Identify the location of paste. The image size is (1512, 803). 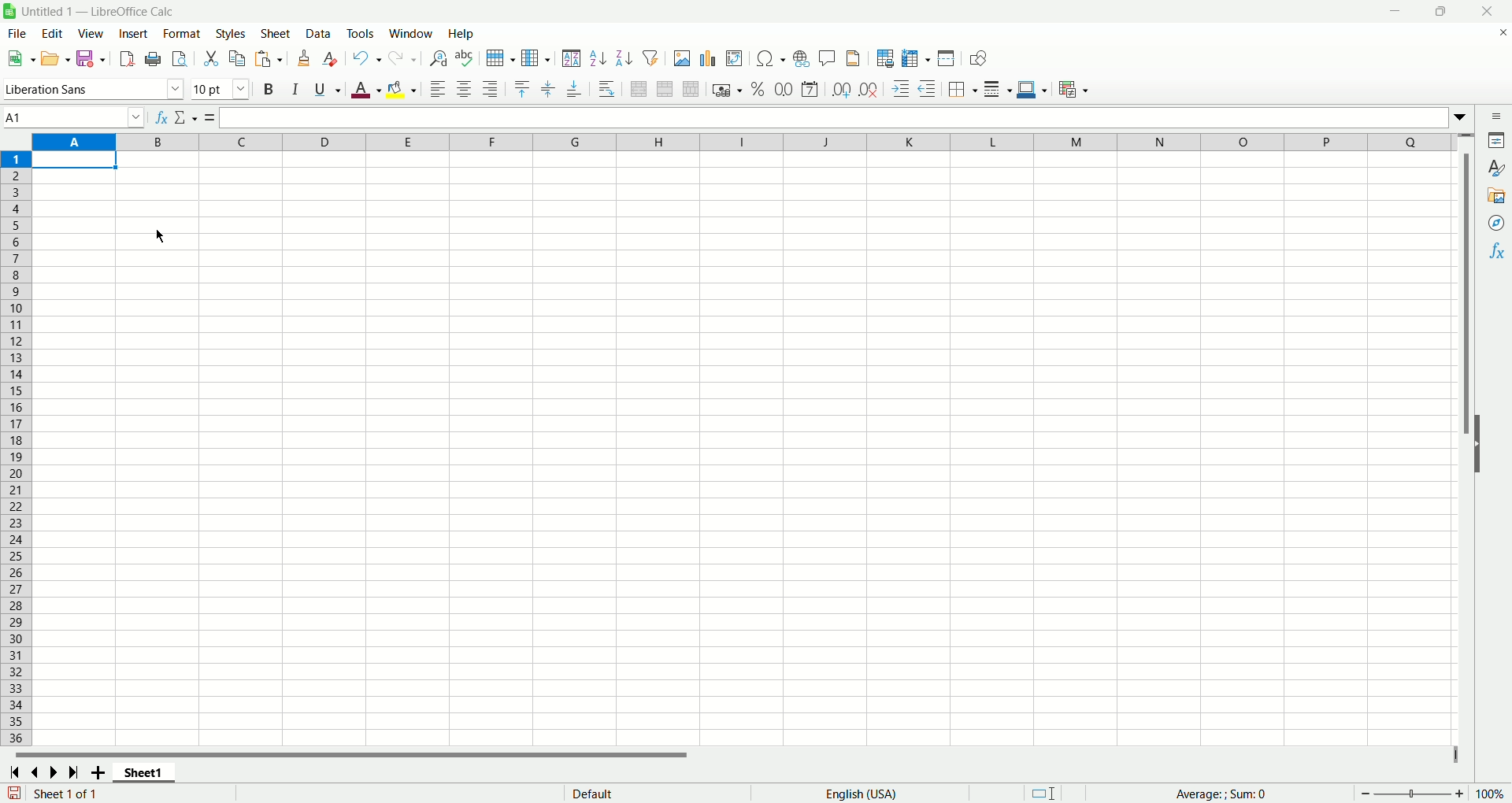
(269, 59).